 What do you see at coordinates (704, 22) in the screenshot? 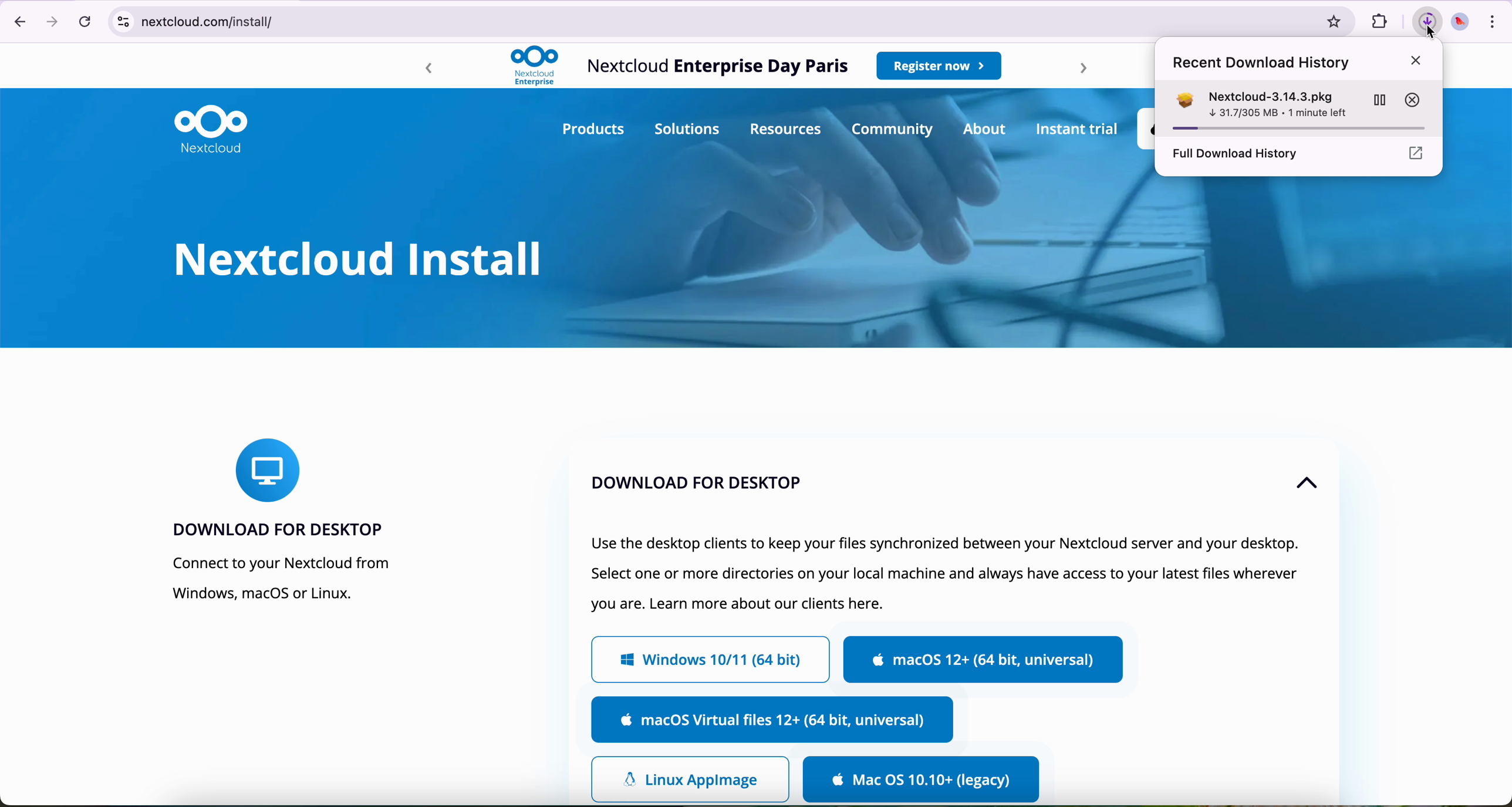
I see `netcloud.com/install/` at bounding box center [704, 22].